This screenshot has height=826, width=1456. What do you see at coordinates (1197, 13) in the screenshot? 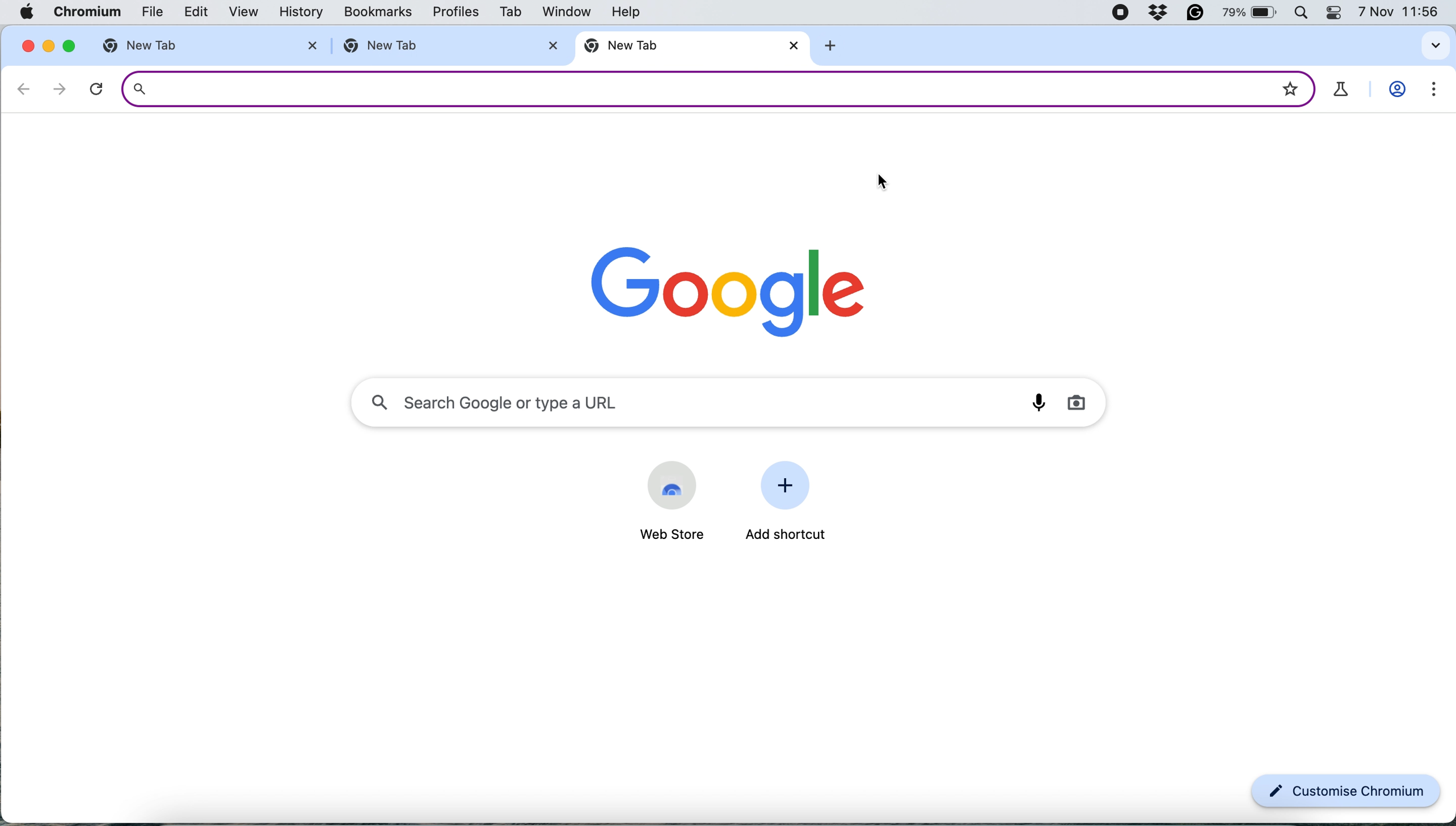
I see `grammarly` at bounding box center [1197, 13].